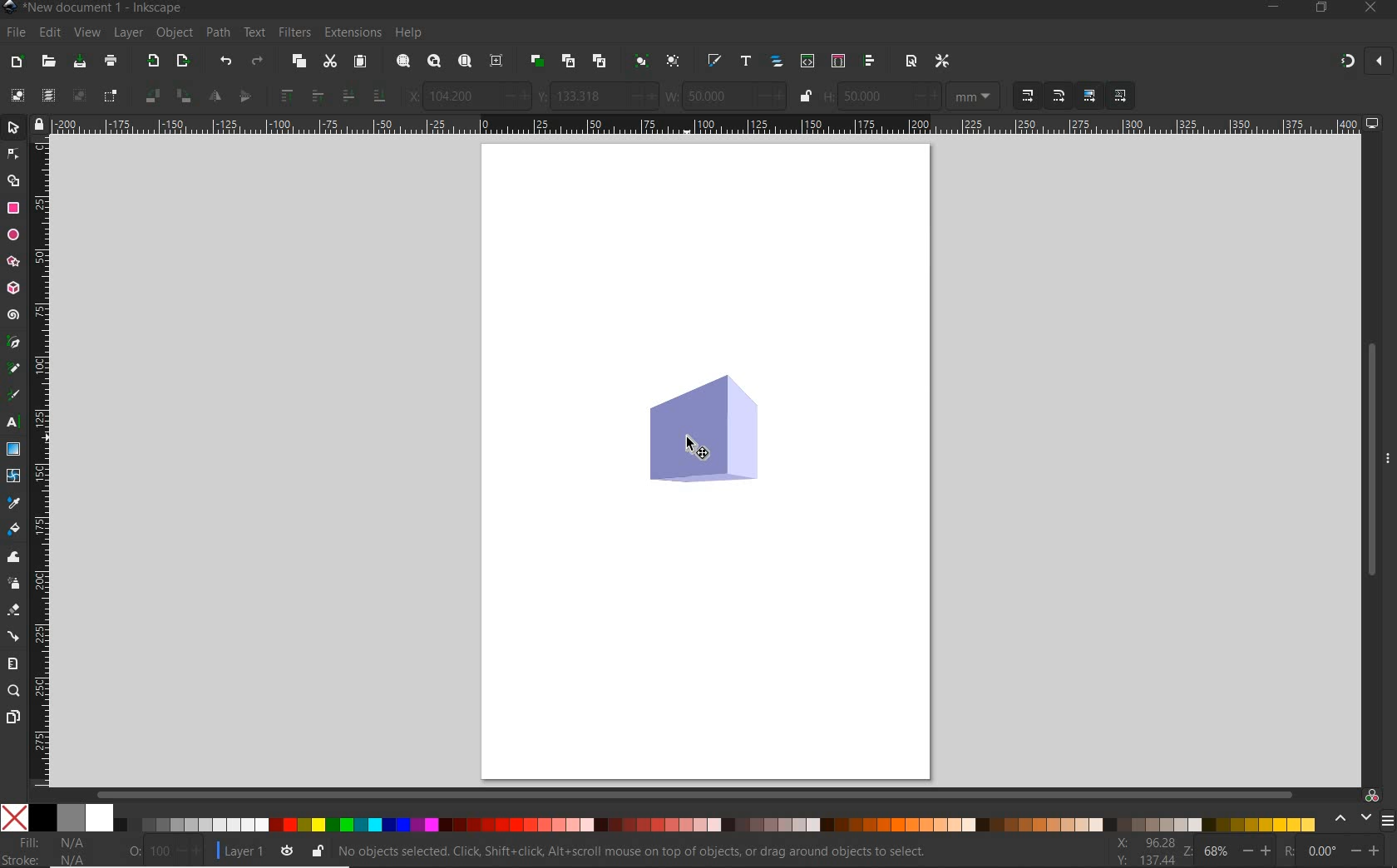 Image resolution: width=1397 pixels, height=868 pixels. I want to click on title, so click(102, 10).